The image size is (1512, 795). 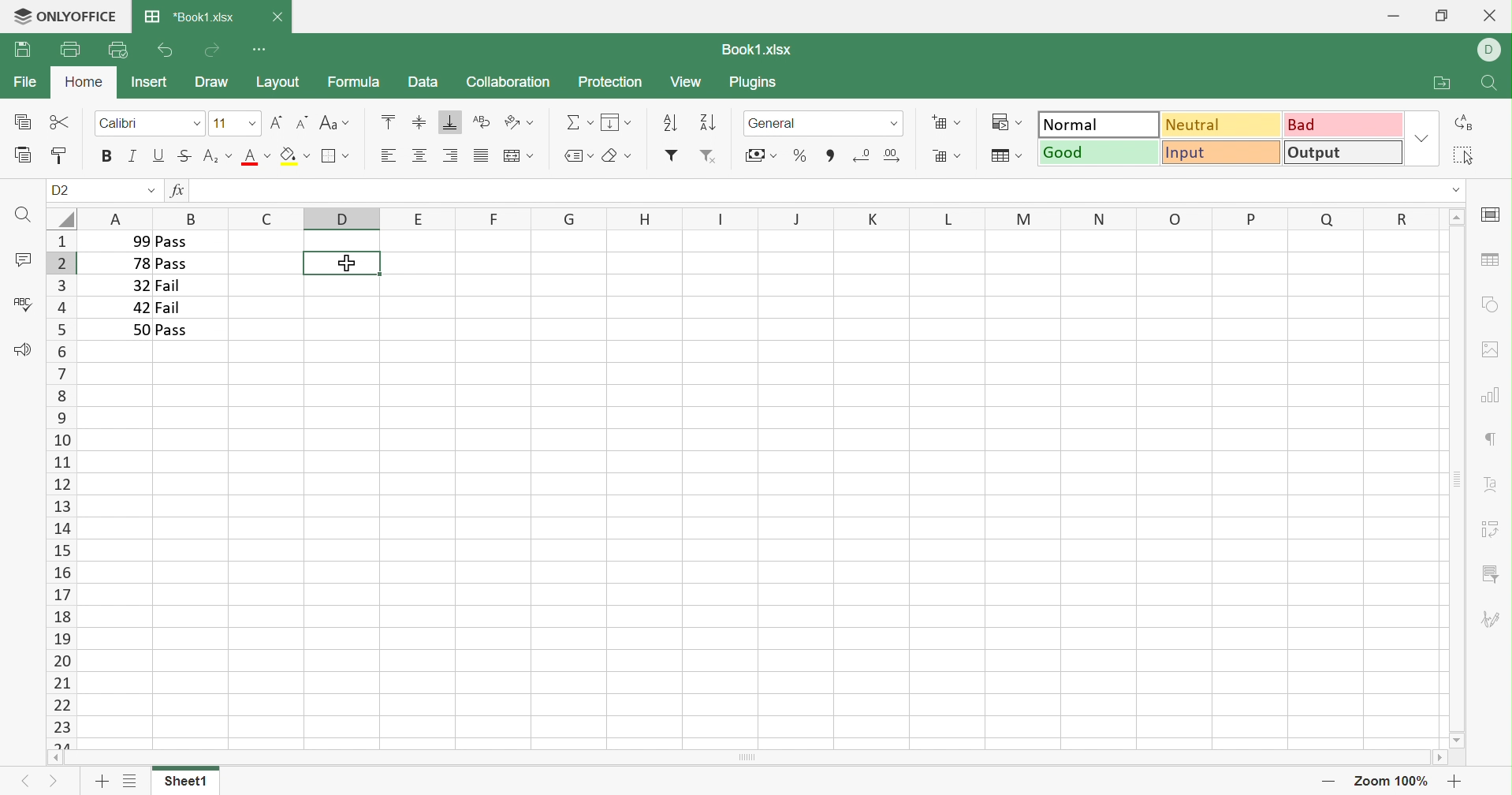 What do you see at coordinates (1009, 122) in the screenshot?
I see `Conditional formatting` at bounding box center [1009, 122].